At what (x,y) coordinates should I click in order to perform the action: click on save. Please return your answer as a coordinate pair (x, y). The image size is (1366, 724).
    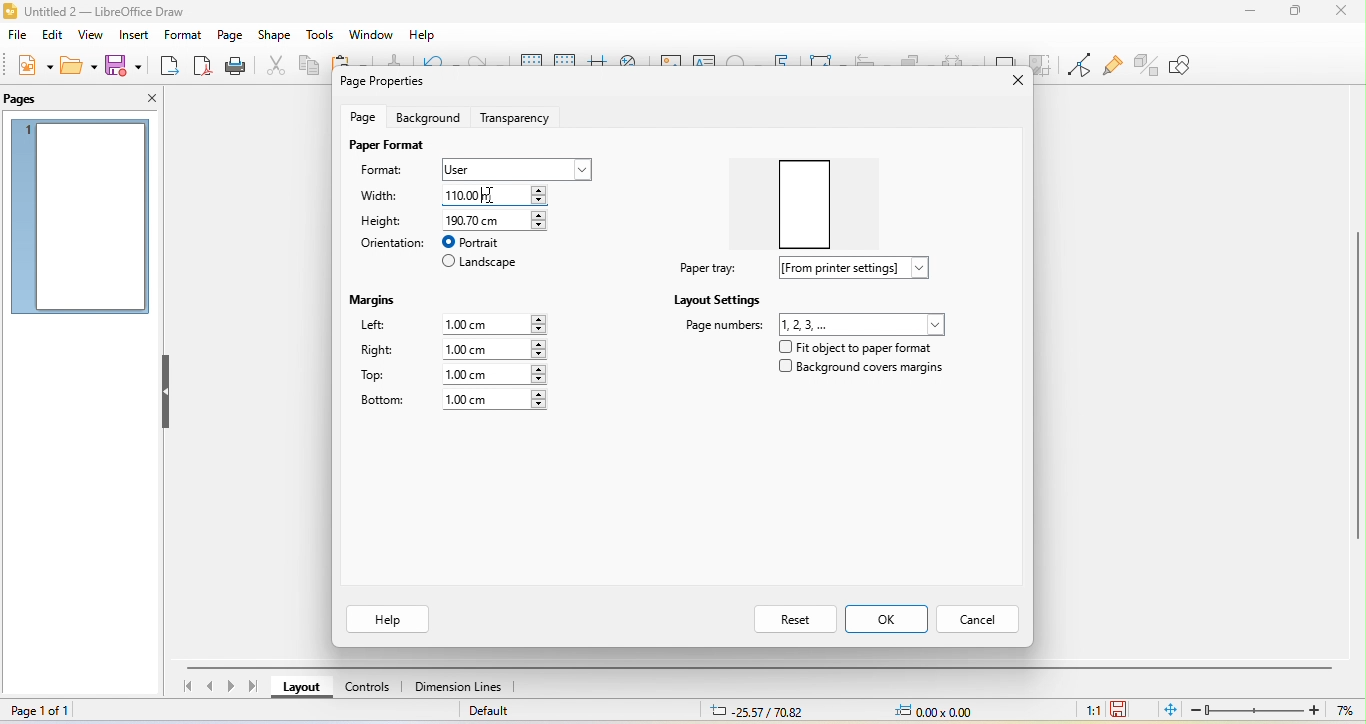
    Looking at the image, I should click on (127, 64).